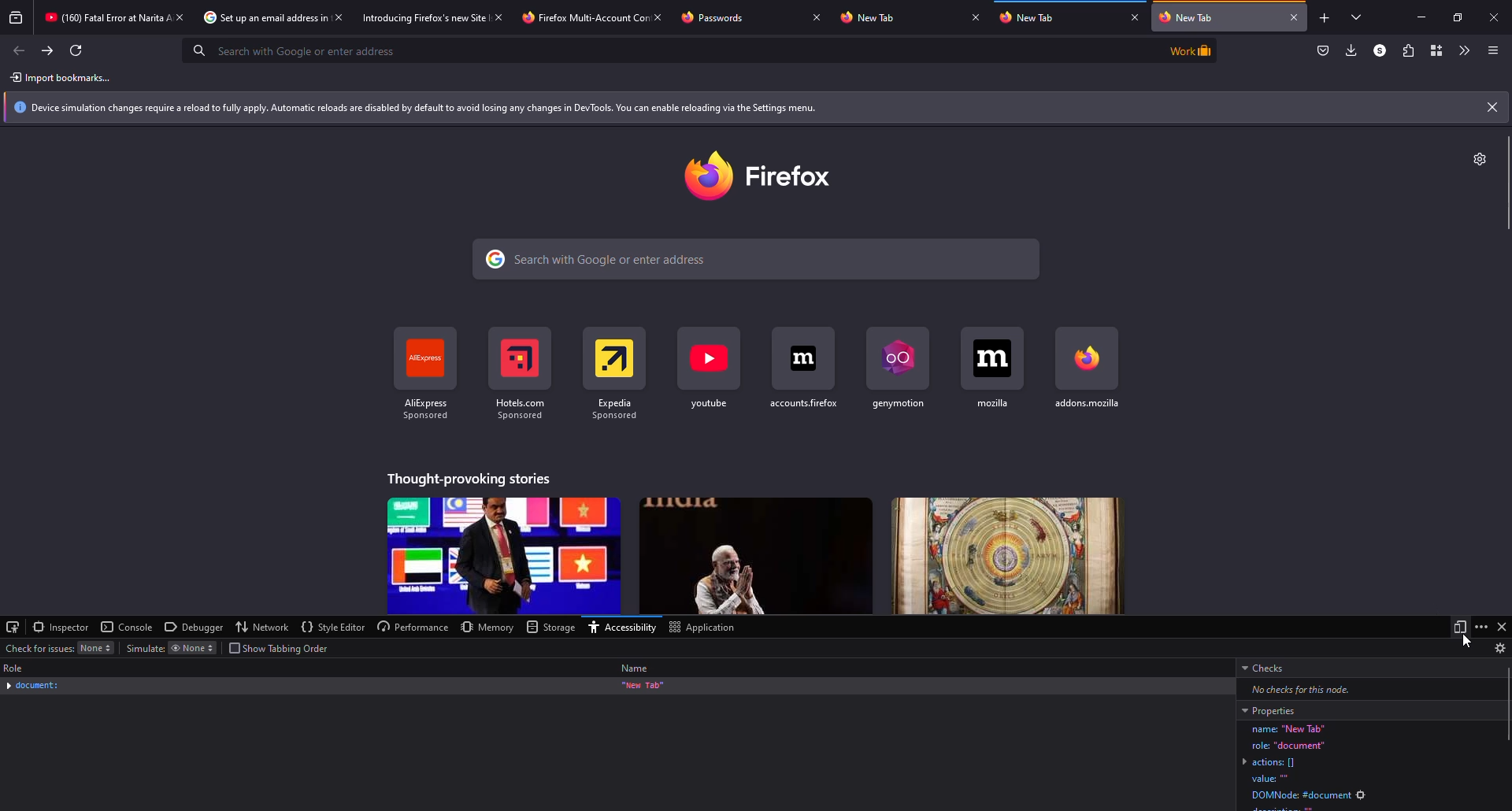 Image resolution: width=1512 pixels, height=811 pixels. Describe the element at coordinates (1217, 17) in the screenshot. I see `tab` at that location.